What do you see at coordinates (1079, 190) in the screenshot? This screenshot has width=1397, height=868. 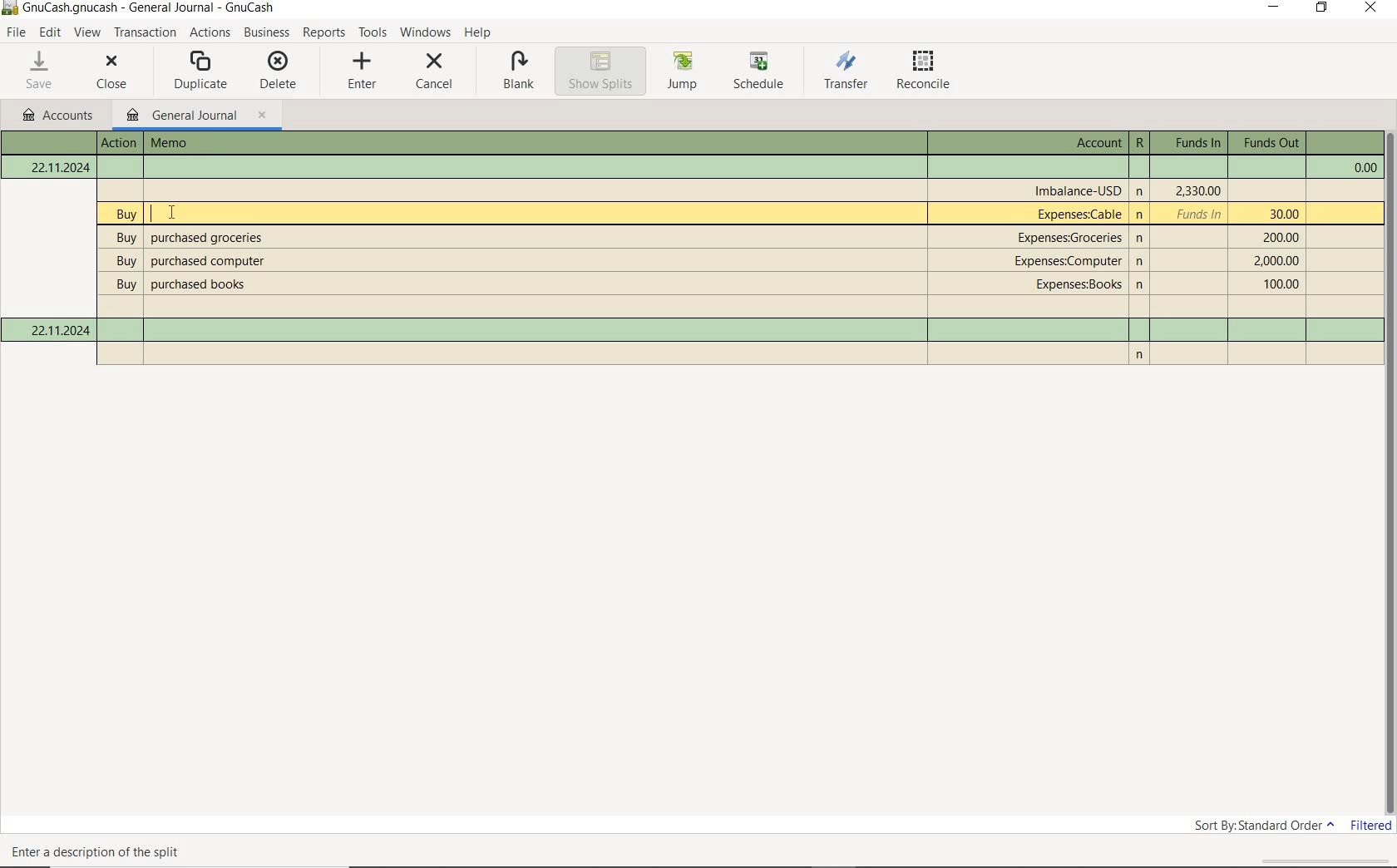 I see `Text` at bounding box center [1079, 190].